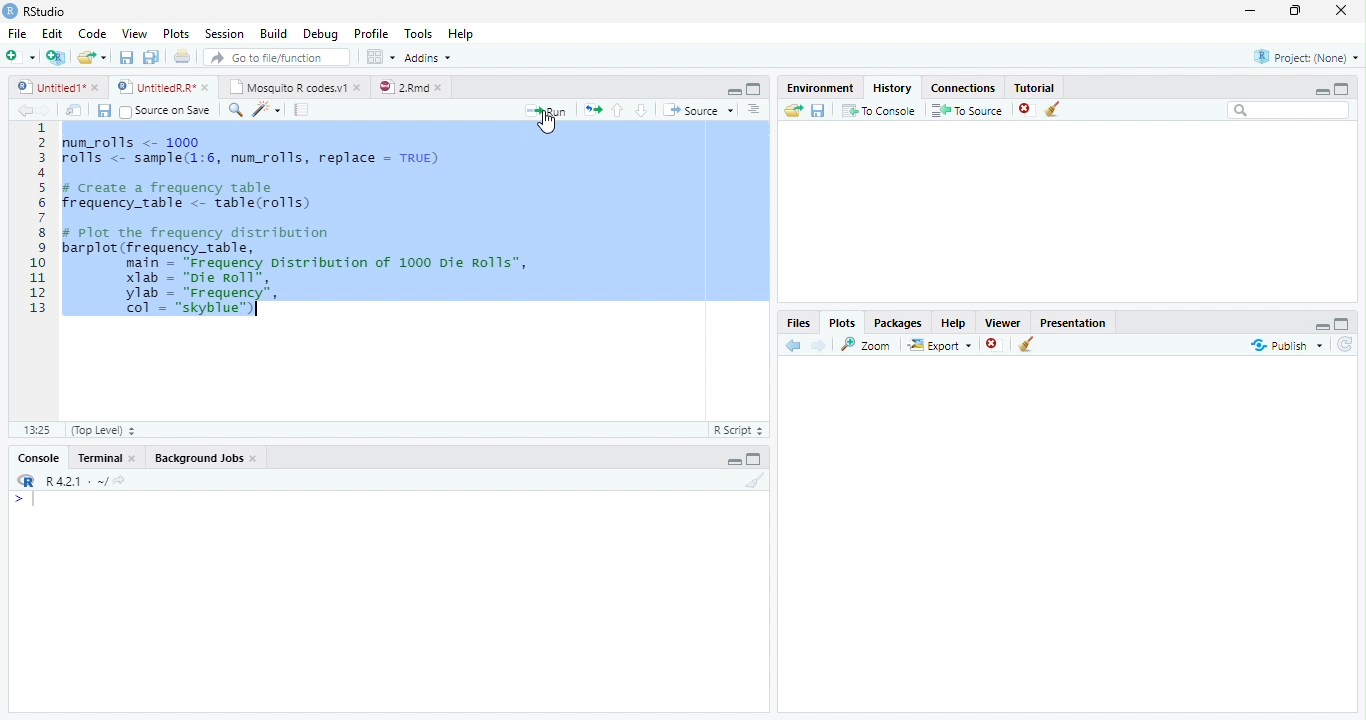  Describe the element at coordinates (463, 33) in the screenshot. I see `Help` at that location.